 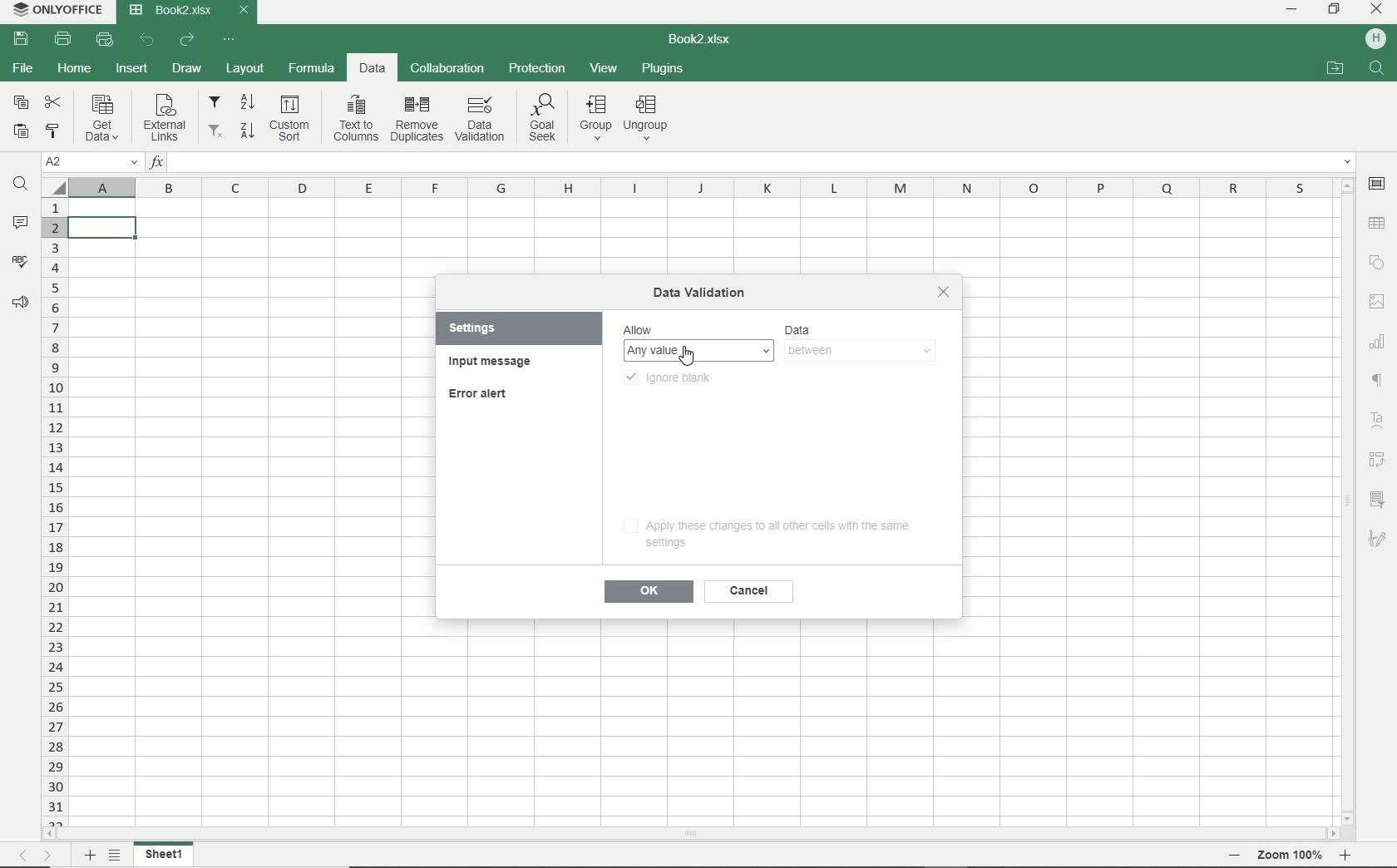 I want to click on SCROLLBAR, so click(x=1348, y=496).